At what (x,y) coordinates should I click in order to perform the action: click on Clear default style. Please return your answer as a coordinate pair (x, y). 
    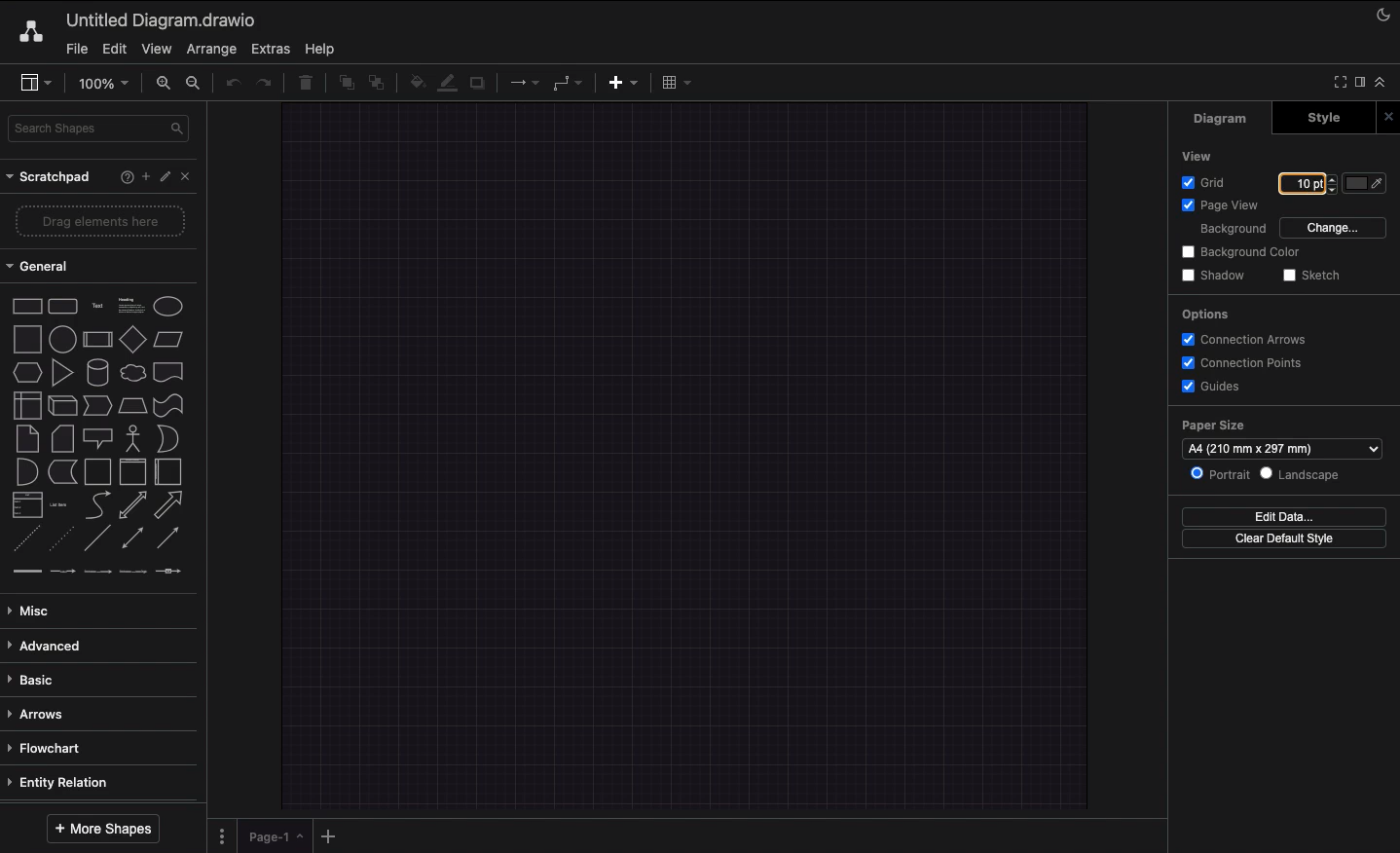
    Looking at the image, I should click on (1287, 539).